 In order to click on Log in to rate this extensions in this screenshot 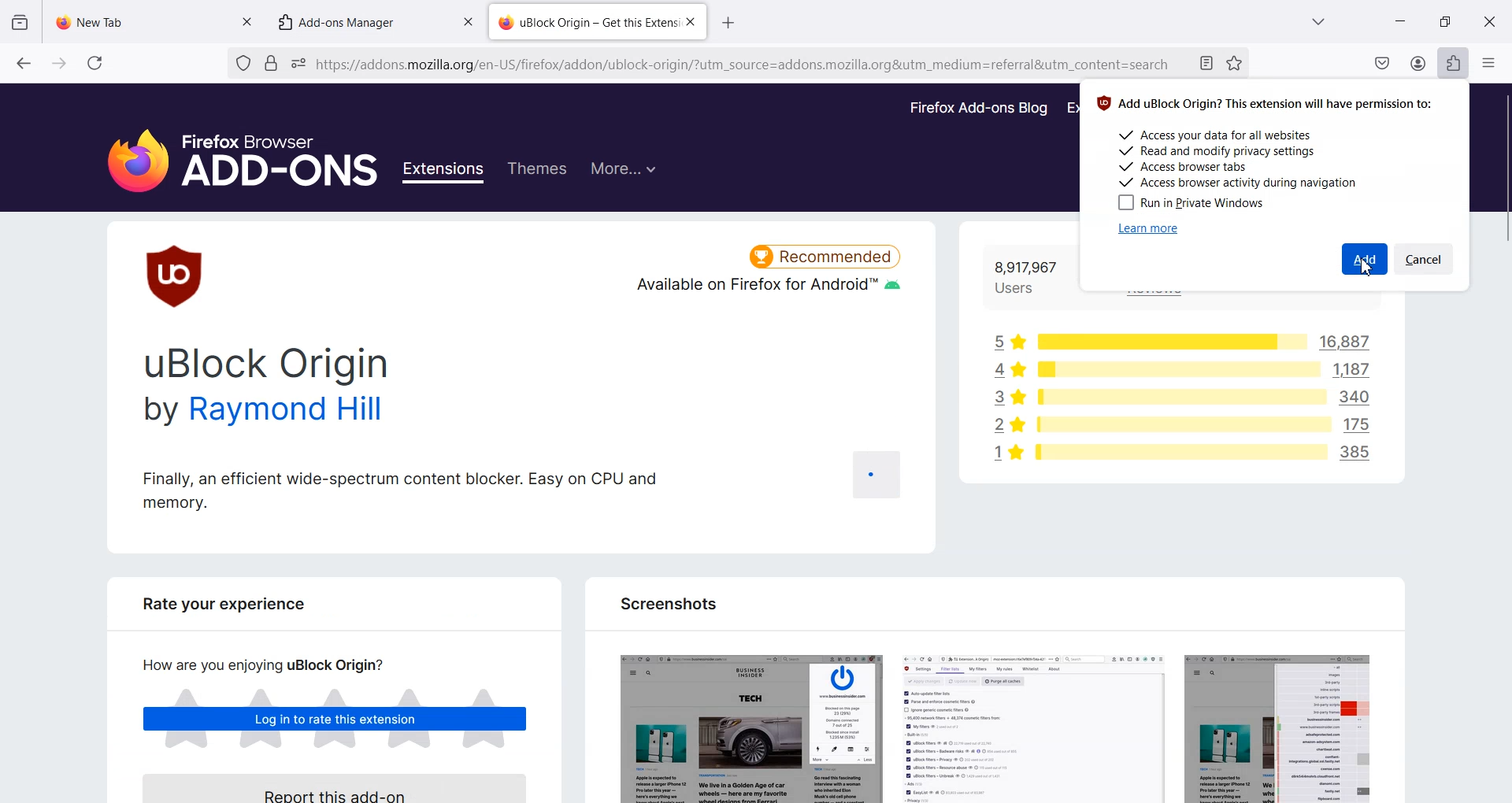, I will do `click(335, 720)`.